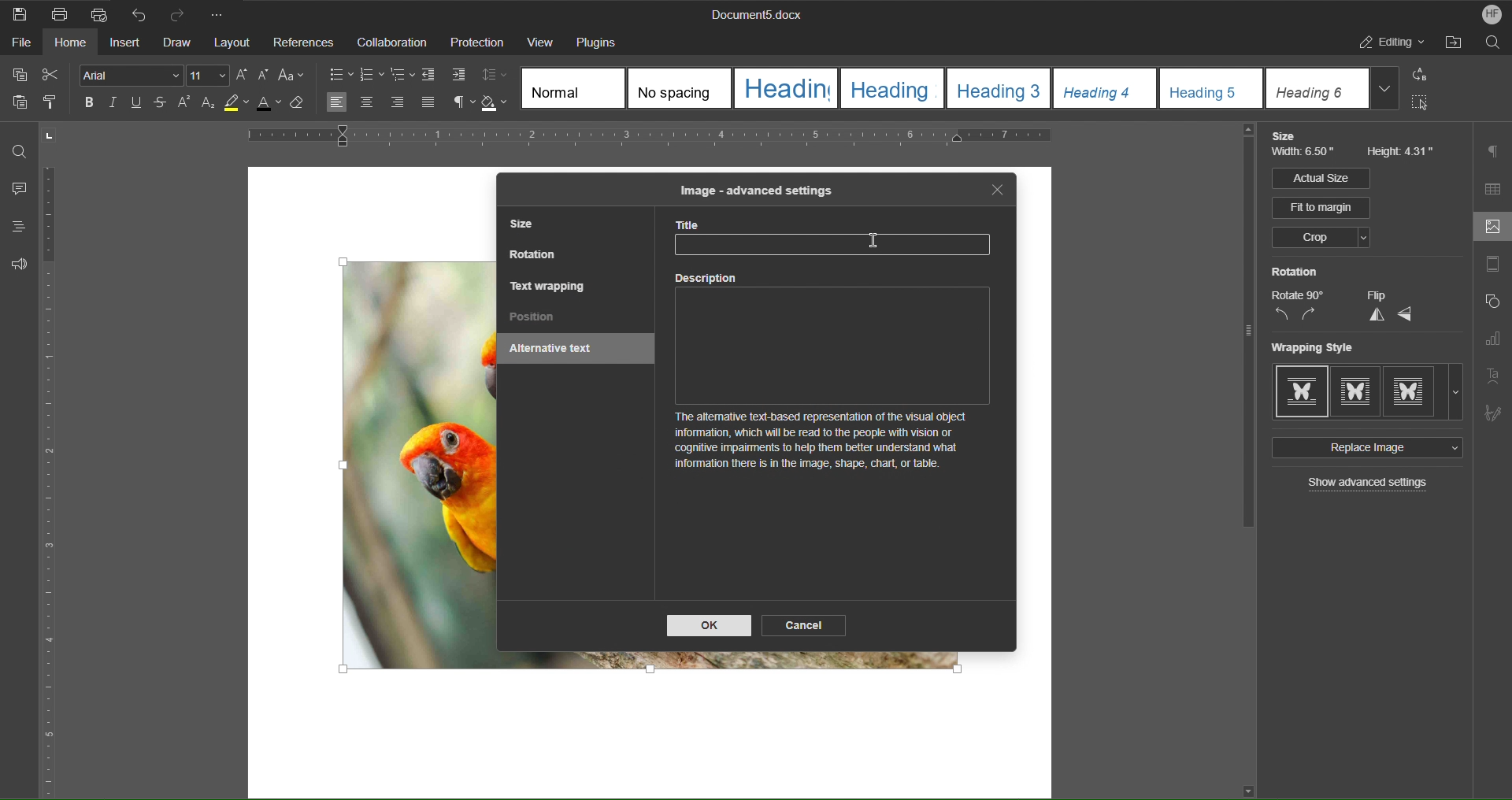 The image size is (1512, 800). Describe the element at coordinates (17, 106) in the screenshot. I see `Paste` at that location.